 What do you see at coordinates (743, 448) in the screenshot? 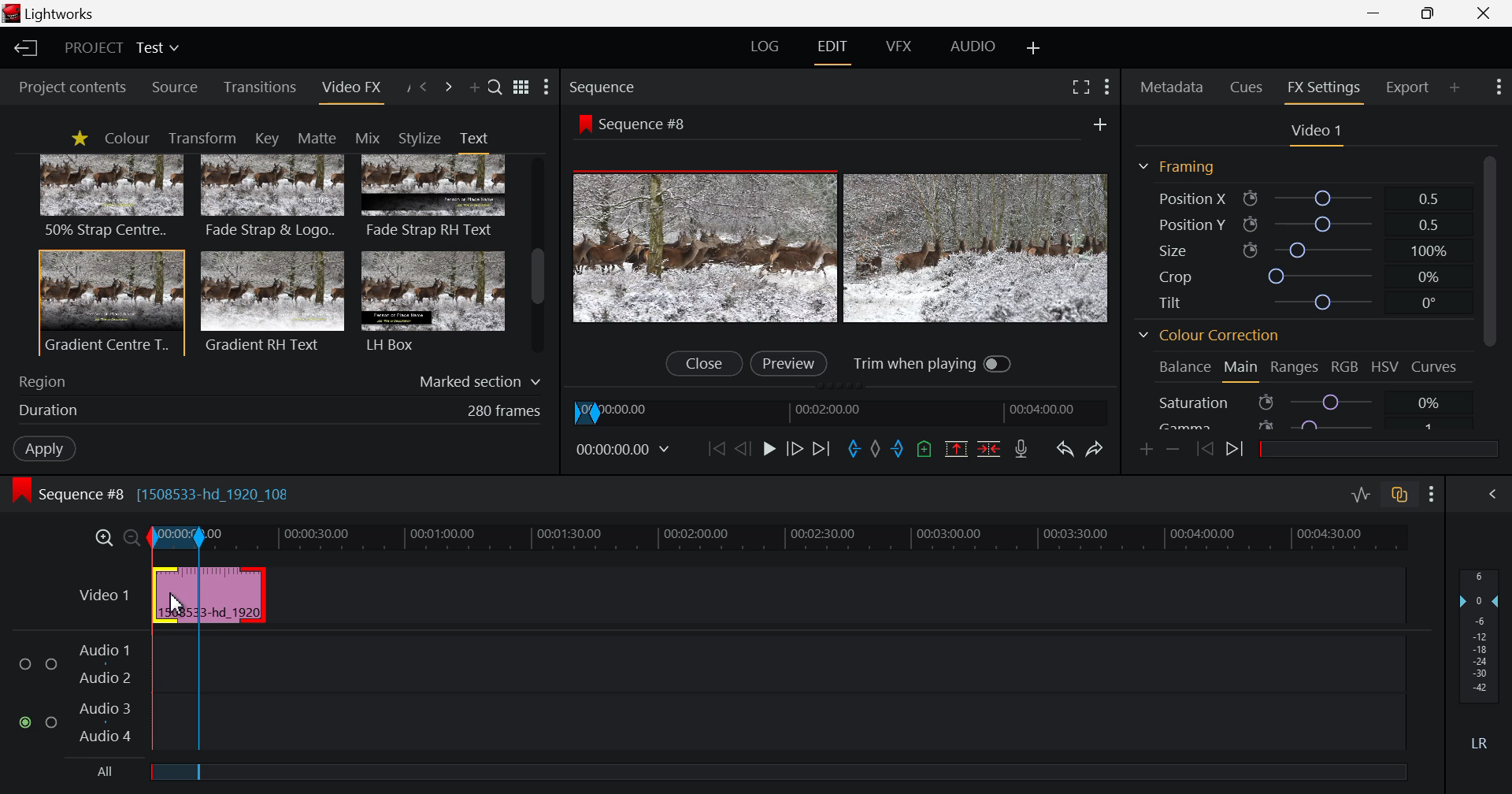
I see `Go Back` at bounding box center [743, 448].